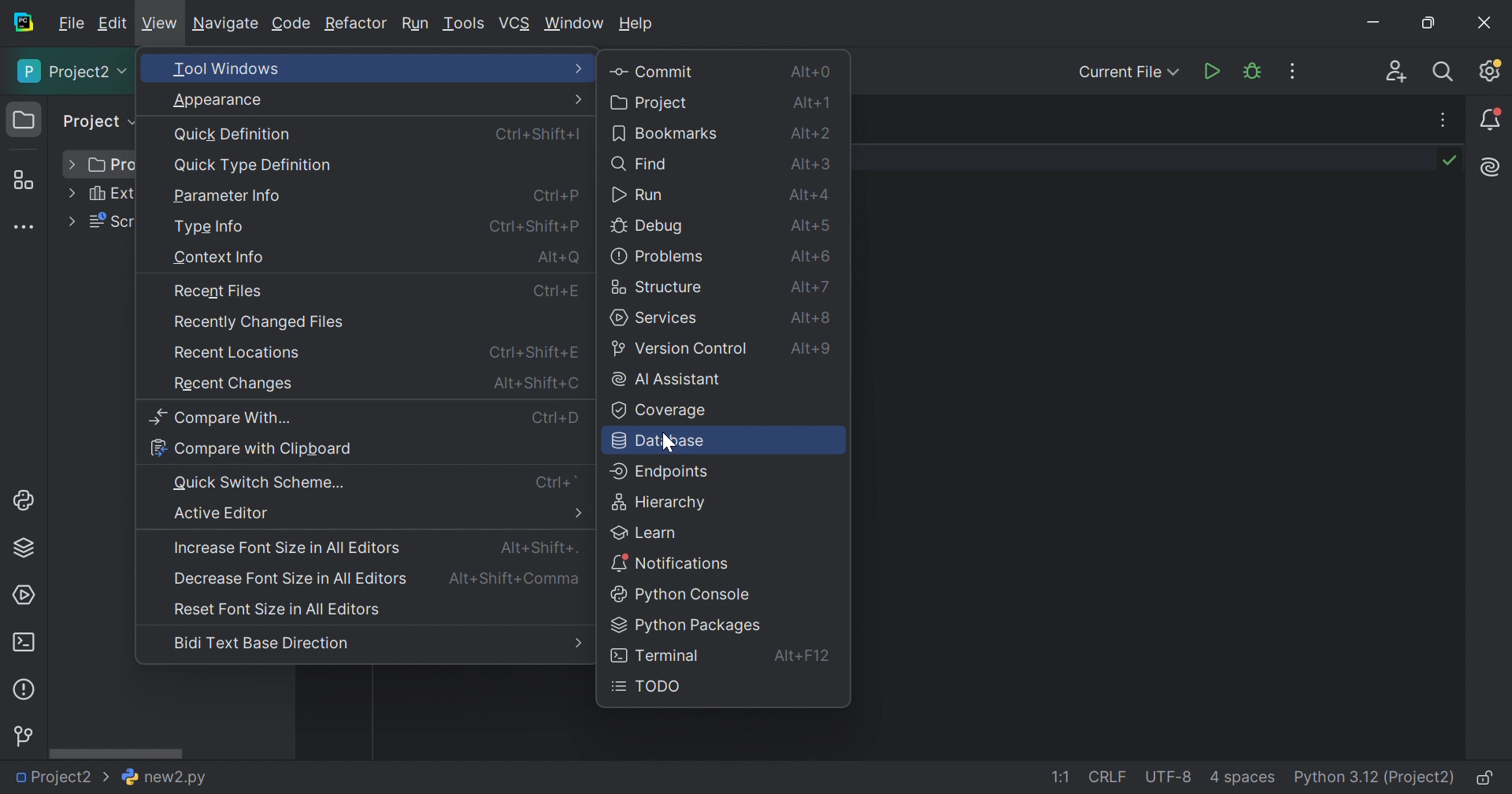 The width and height of the screenshot is (1512, 794). What do you see at coordinates (234, 134) in the screenshot?
I see `Quick Definition` at bounding box center [234, 134].